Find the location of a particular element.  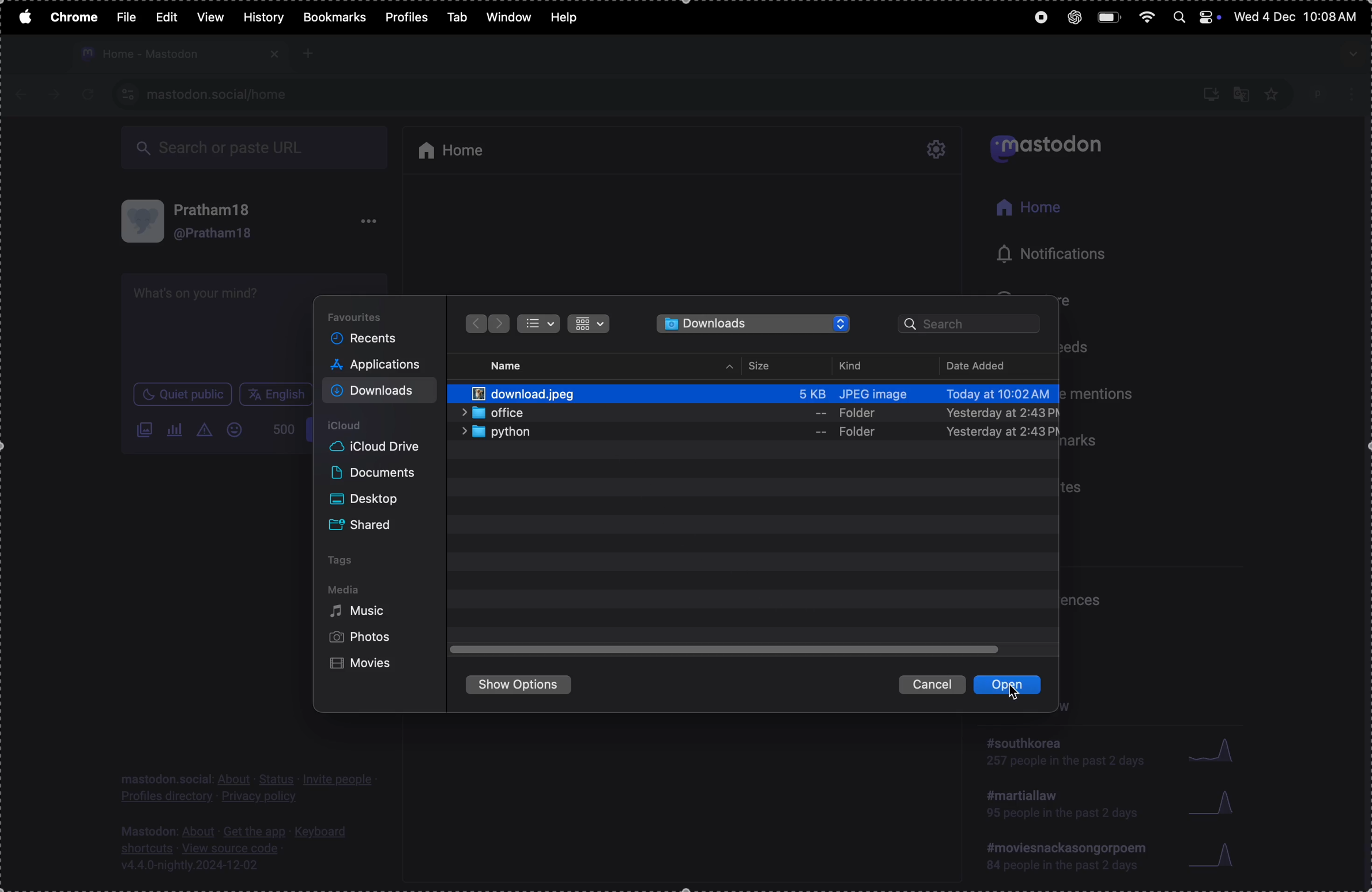

python folder is located at coordinates (757, 433).